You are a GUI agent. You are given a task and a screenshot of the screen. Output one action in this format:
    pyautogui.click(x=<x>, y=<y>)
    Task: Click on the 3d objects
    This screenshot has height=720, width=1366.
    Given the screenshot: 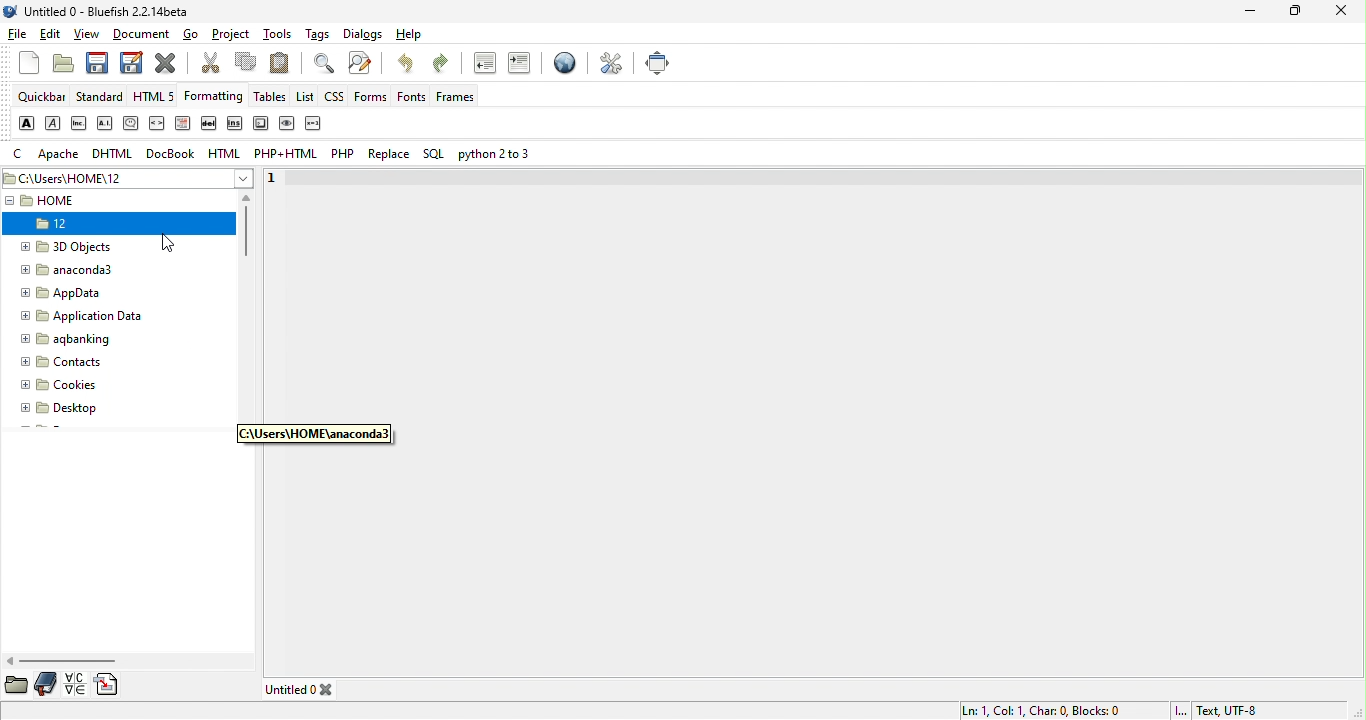 What is the action you would take?
    pyautogui.click(x=75, y=246)
    